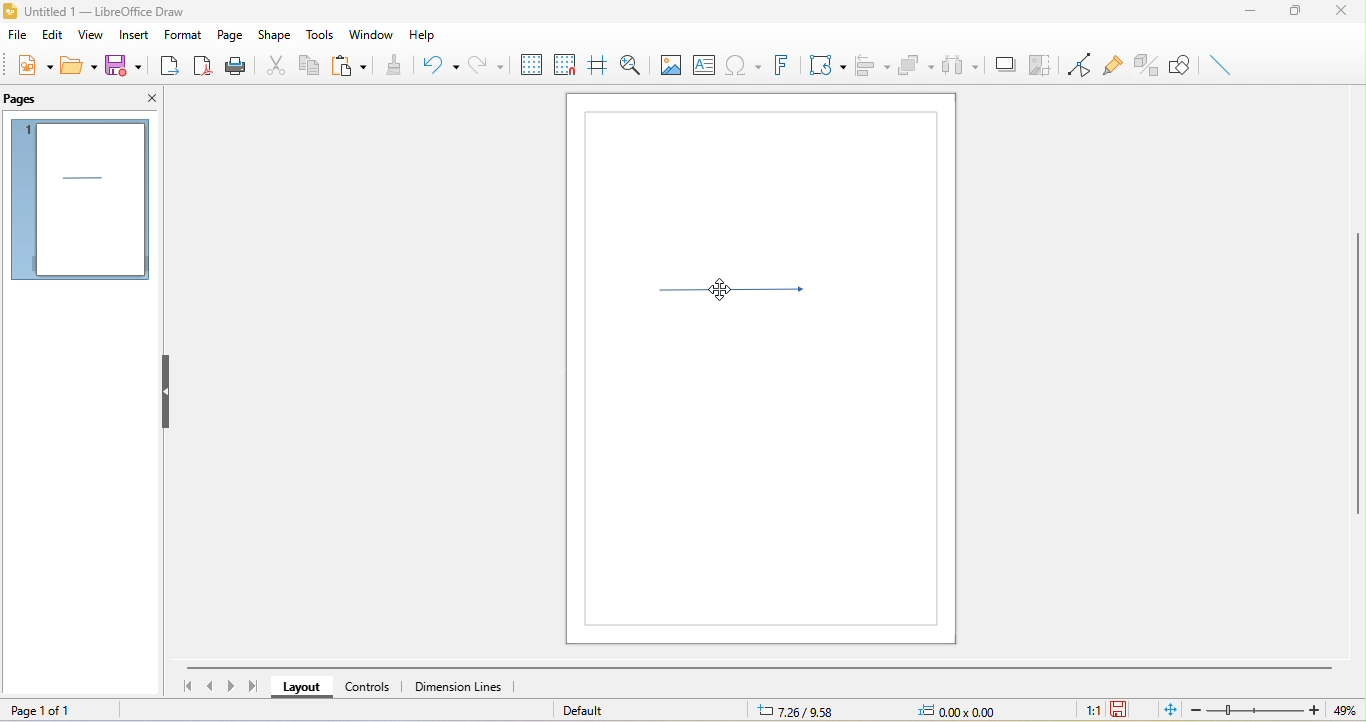 The image size is (1366, 722). I want to click on export directly a pdf, so click(203, 68).